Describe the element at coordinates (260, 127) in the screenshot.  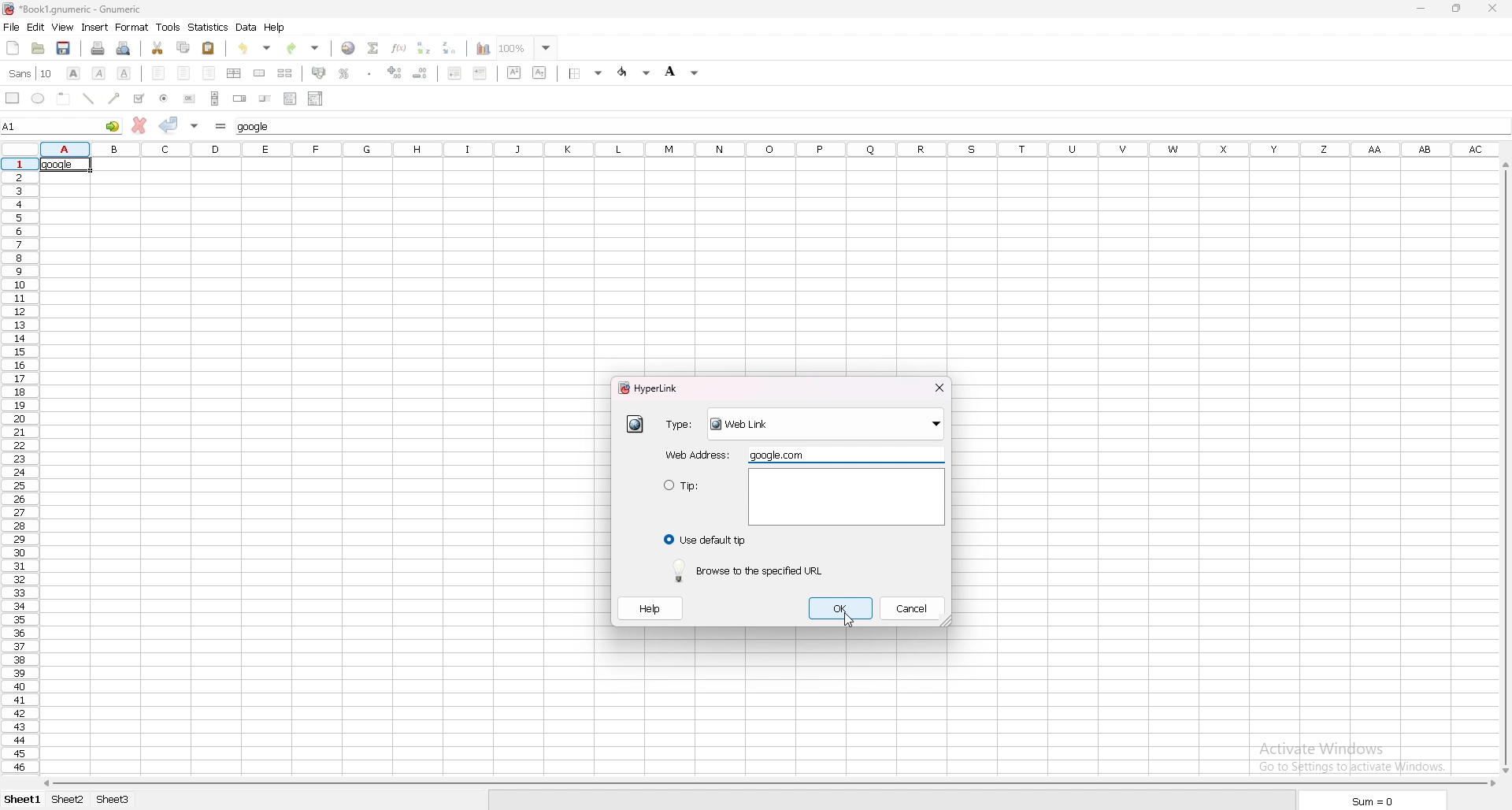
I see `cell input` at that location.